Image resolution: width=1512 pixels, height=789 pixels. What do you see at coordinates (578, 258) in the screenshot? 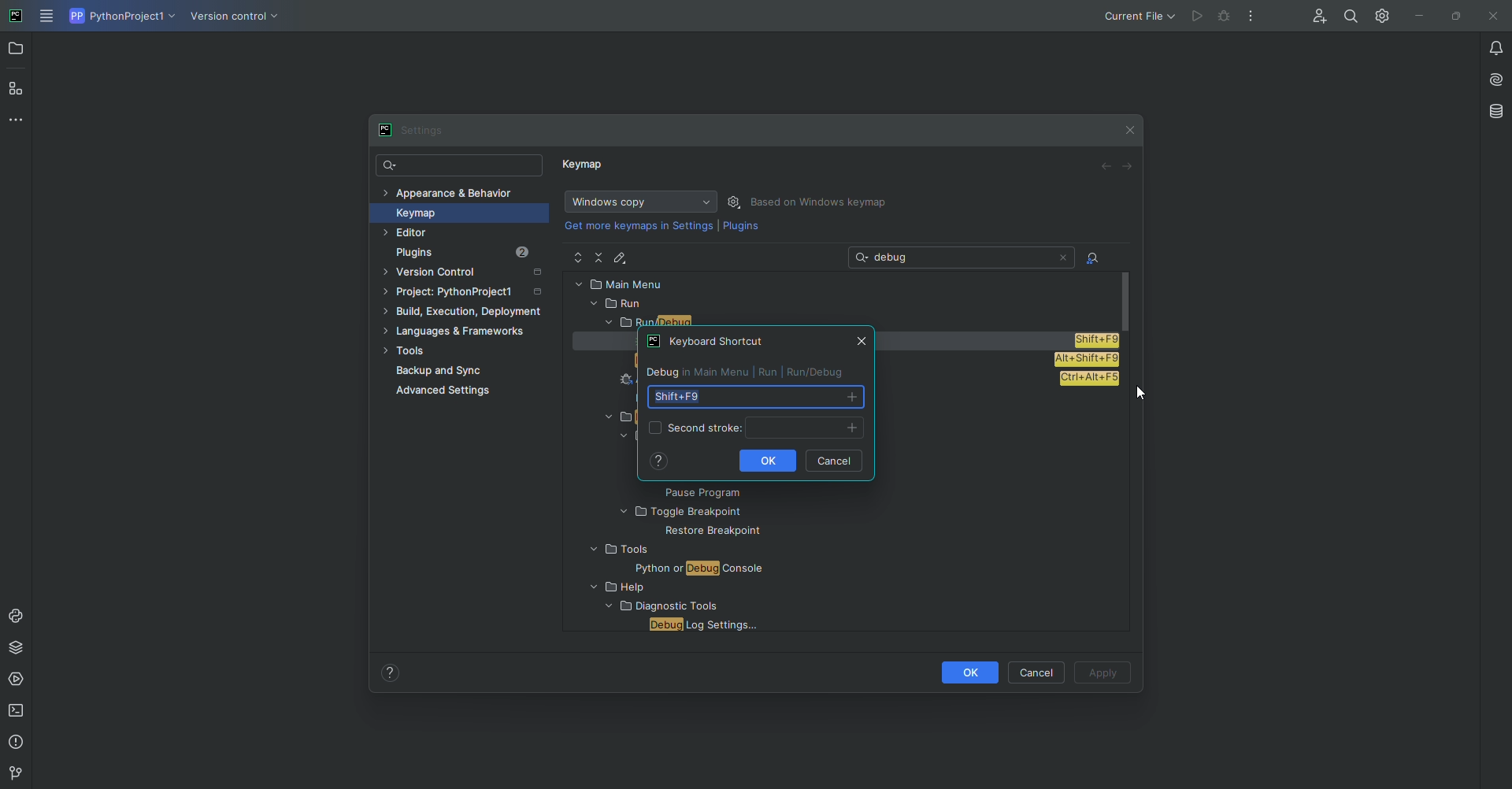
I see `Expand` at bounding box center [578, 258].